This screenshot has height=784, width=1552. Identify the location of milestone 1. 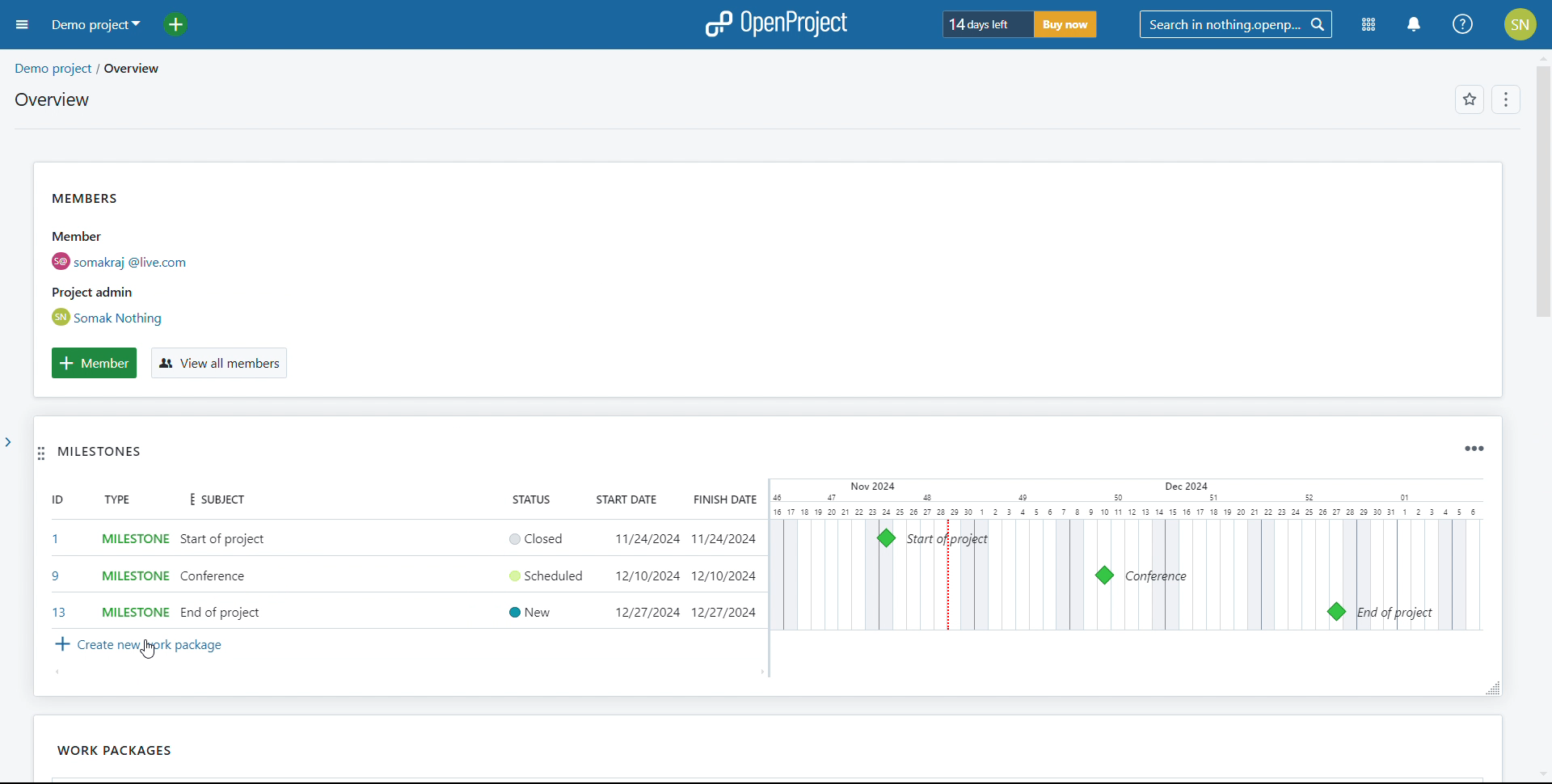
(886, 538).